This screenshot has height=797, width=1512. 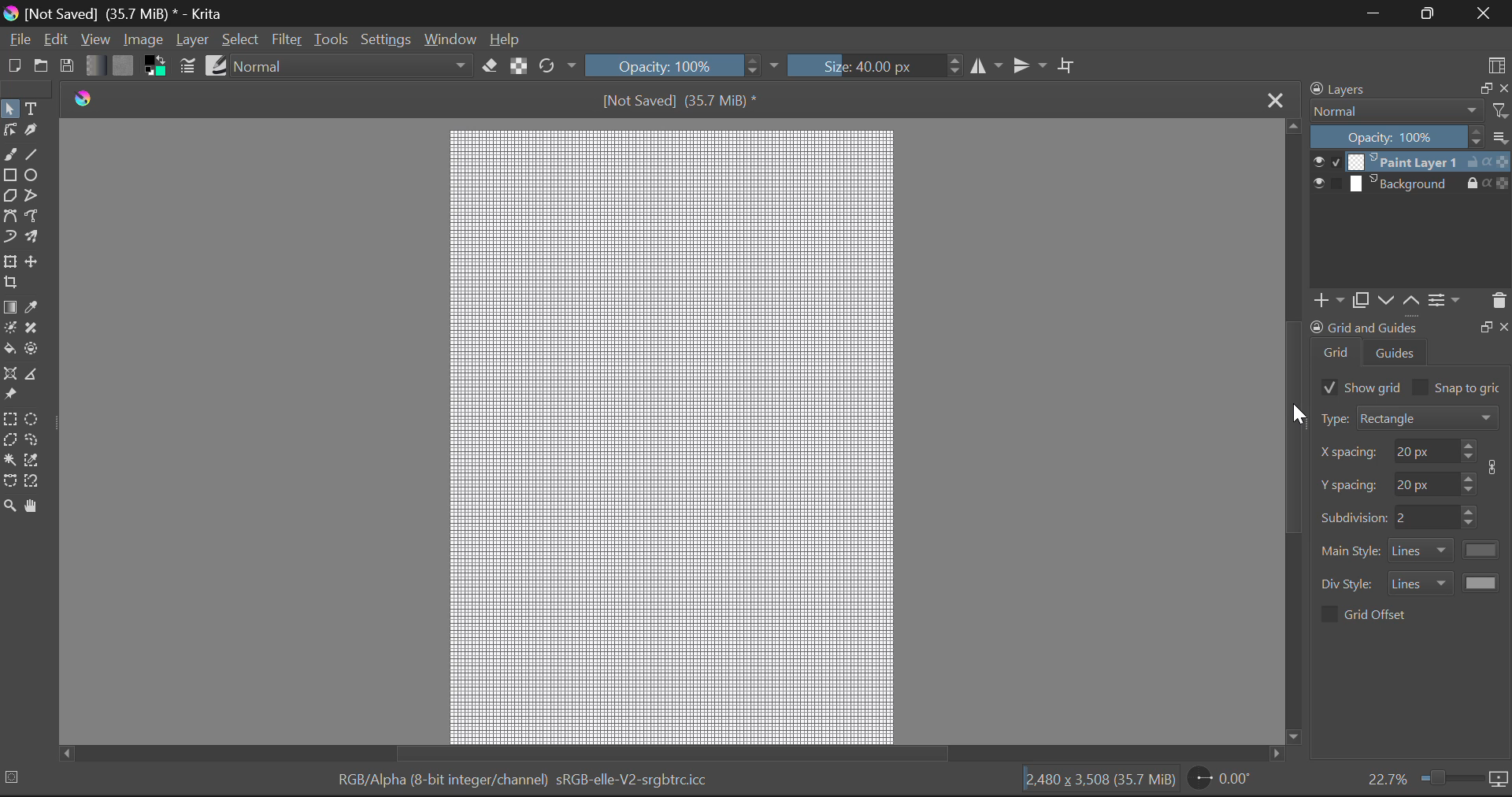 I want to click on guides, so click(x=1396, y=352).